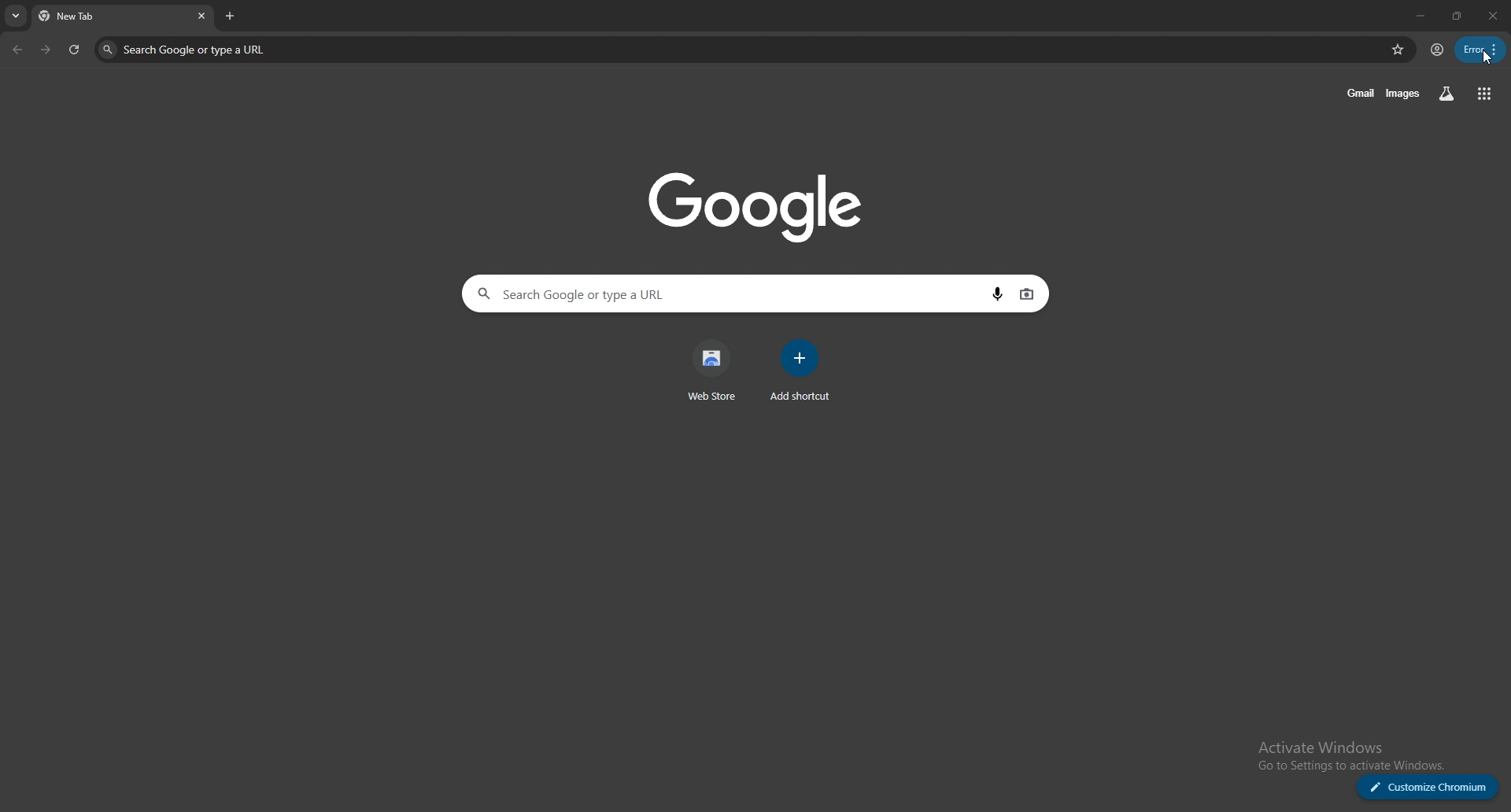 This screenshot has width=1511, height=812. What do you see at coordinates (1489, 61) in the screenshot?
I see `cursor` at bounding box center [1489, 61].